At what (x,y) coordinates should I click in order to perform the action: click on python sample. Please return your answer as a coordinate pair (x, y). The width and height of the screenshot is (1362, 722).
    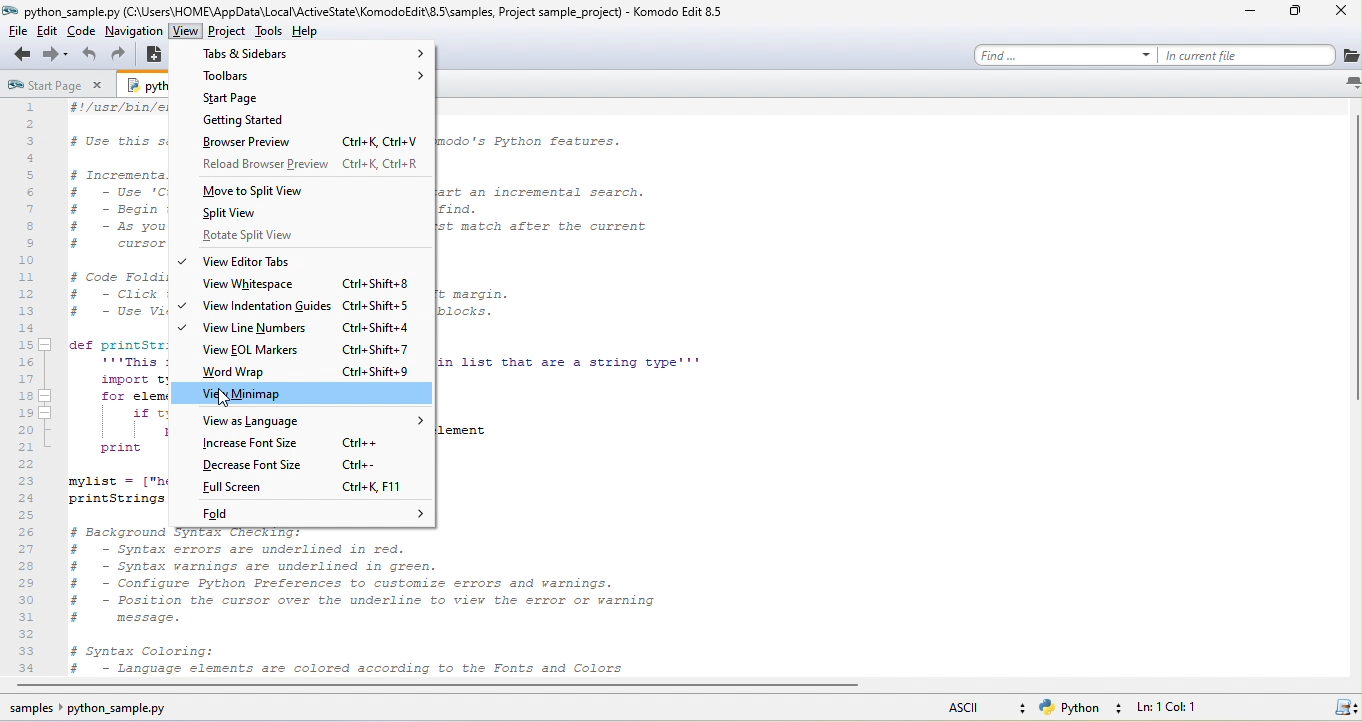
    Looking at the image, I should click on (157, 86).